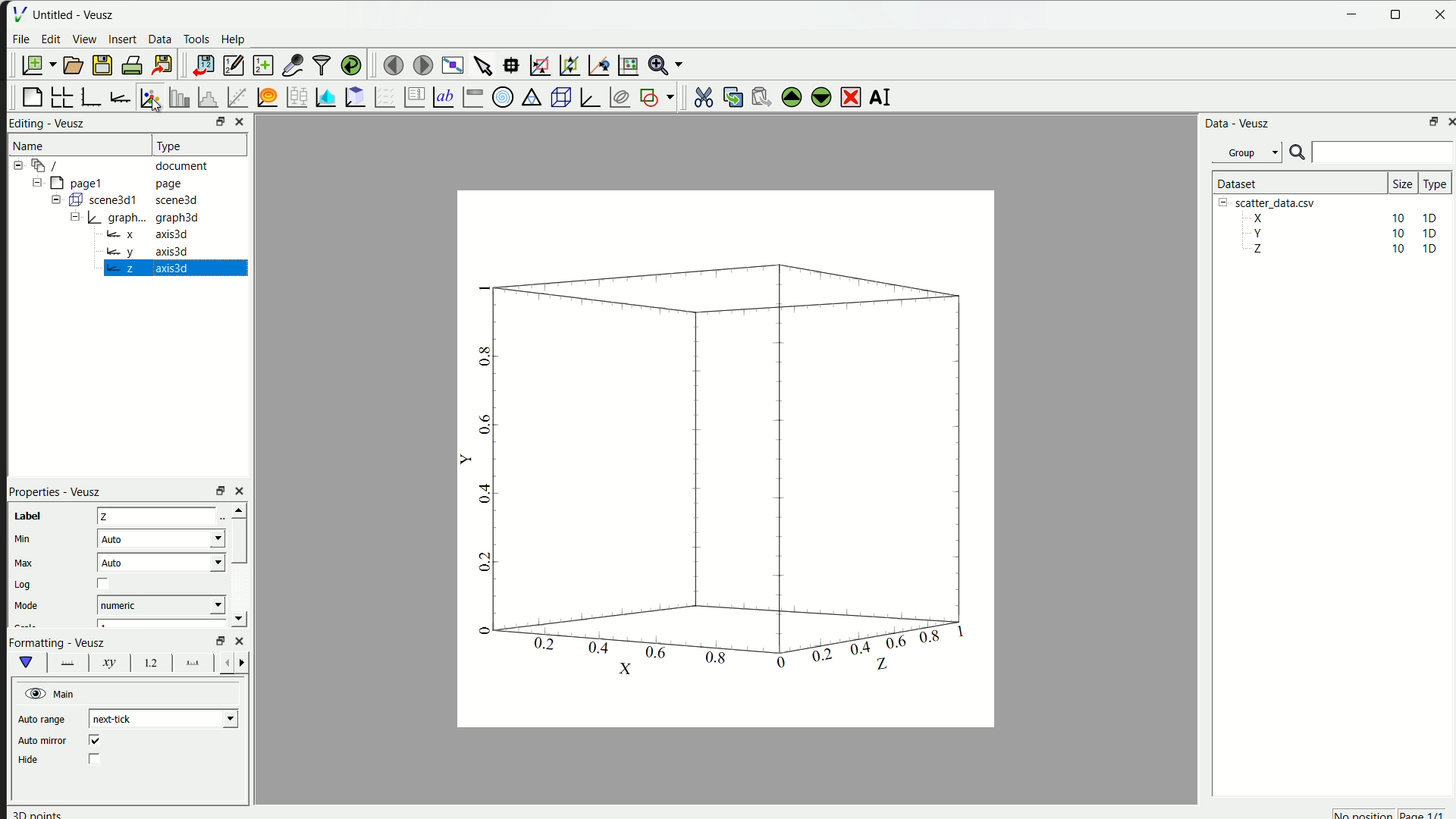  I want to click on paste the widget from the clipboard, so click(756, 97).